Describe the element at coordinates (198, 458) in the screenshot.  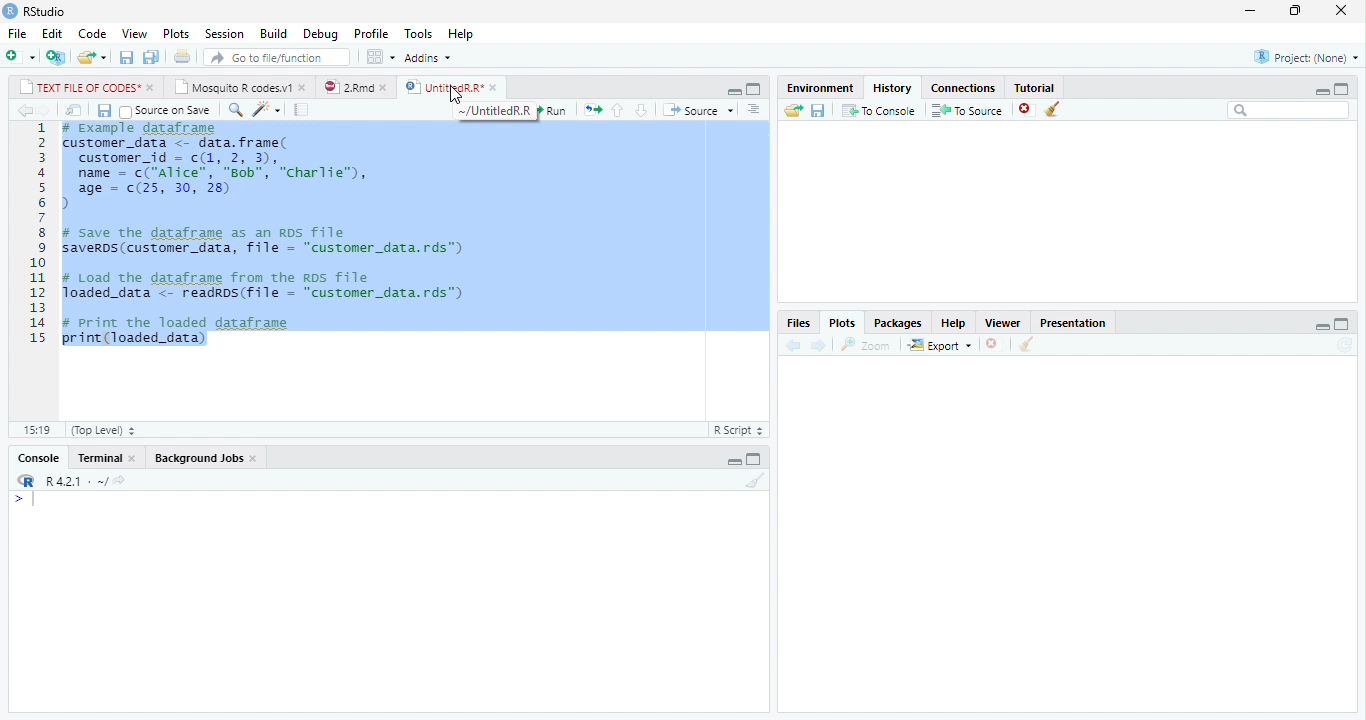
I see `Background Jobs` at that location.